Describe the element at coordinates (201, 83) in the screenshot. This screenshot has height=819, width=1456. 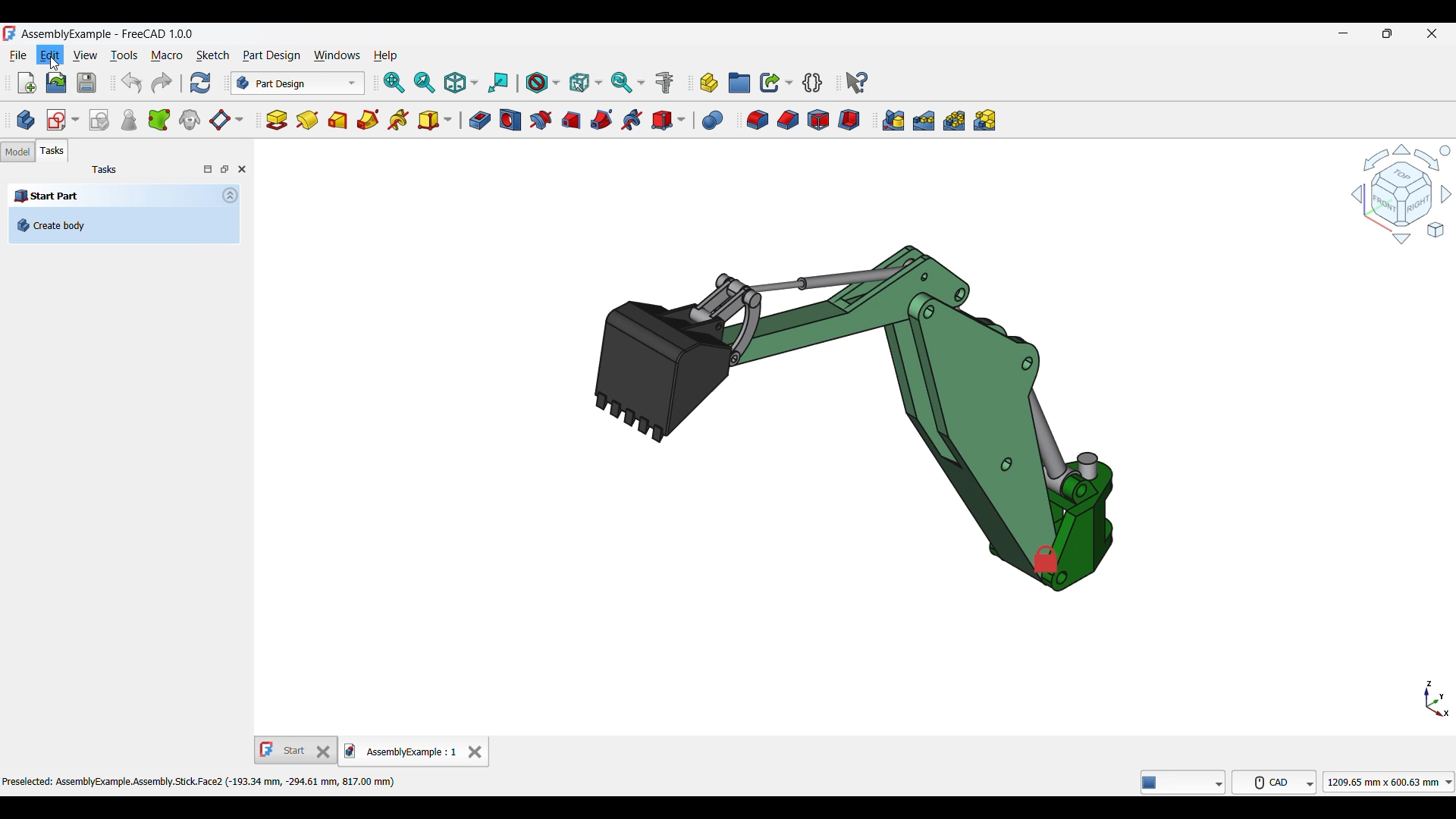
I see `Refresh ` at that location.